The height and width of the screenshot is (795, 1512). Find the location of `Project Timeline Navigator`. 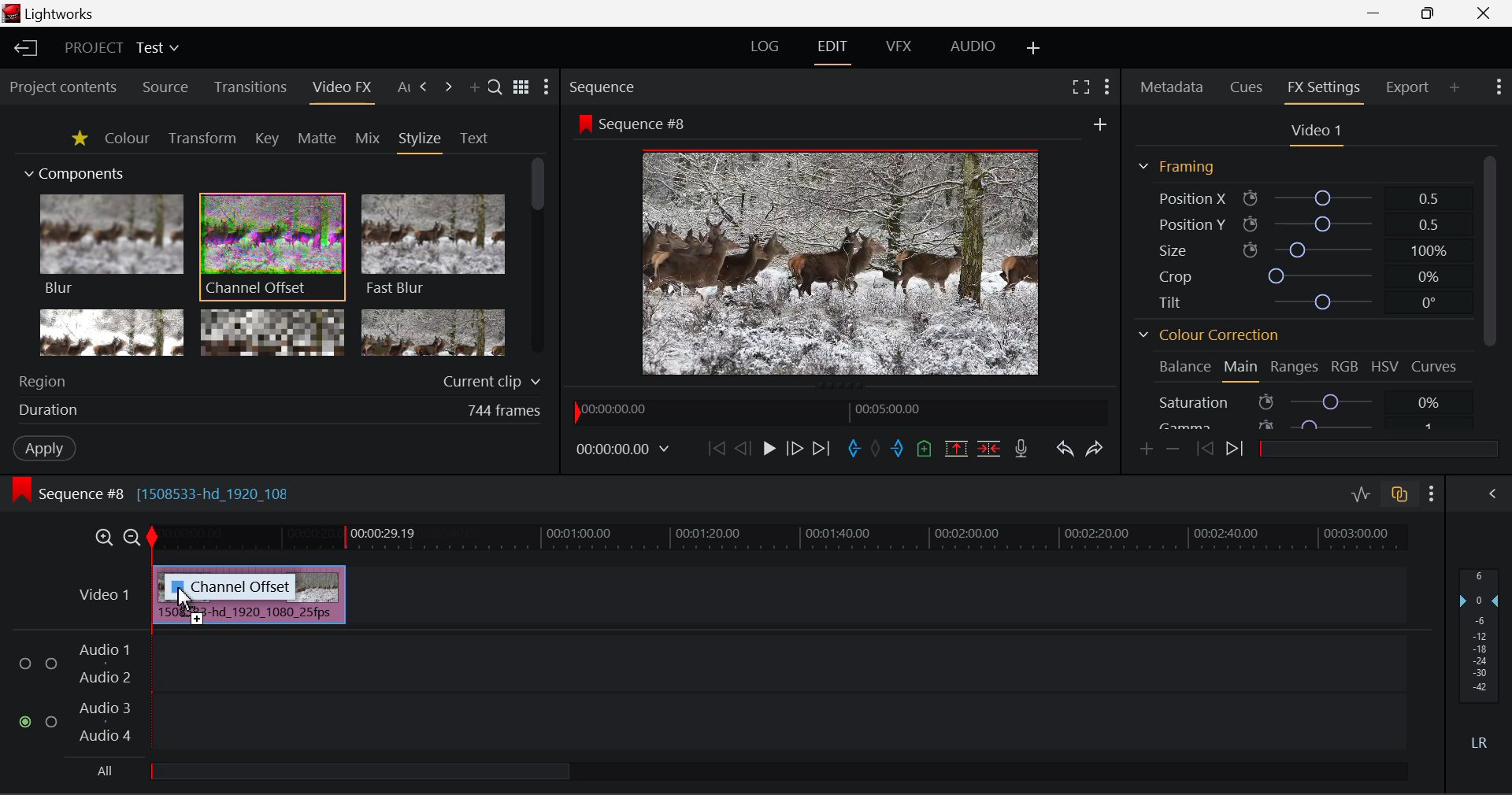

Project Timeline Navigator is located at coordinates (841, 412).